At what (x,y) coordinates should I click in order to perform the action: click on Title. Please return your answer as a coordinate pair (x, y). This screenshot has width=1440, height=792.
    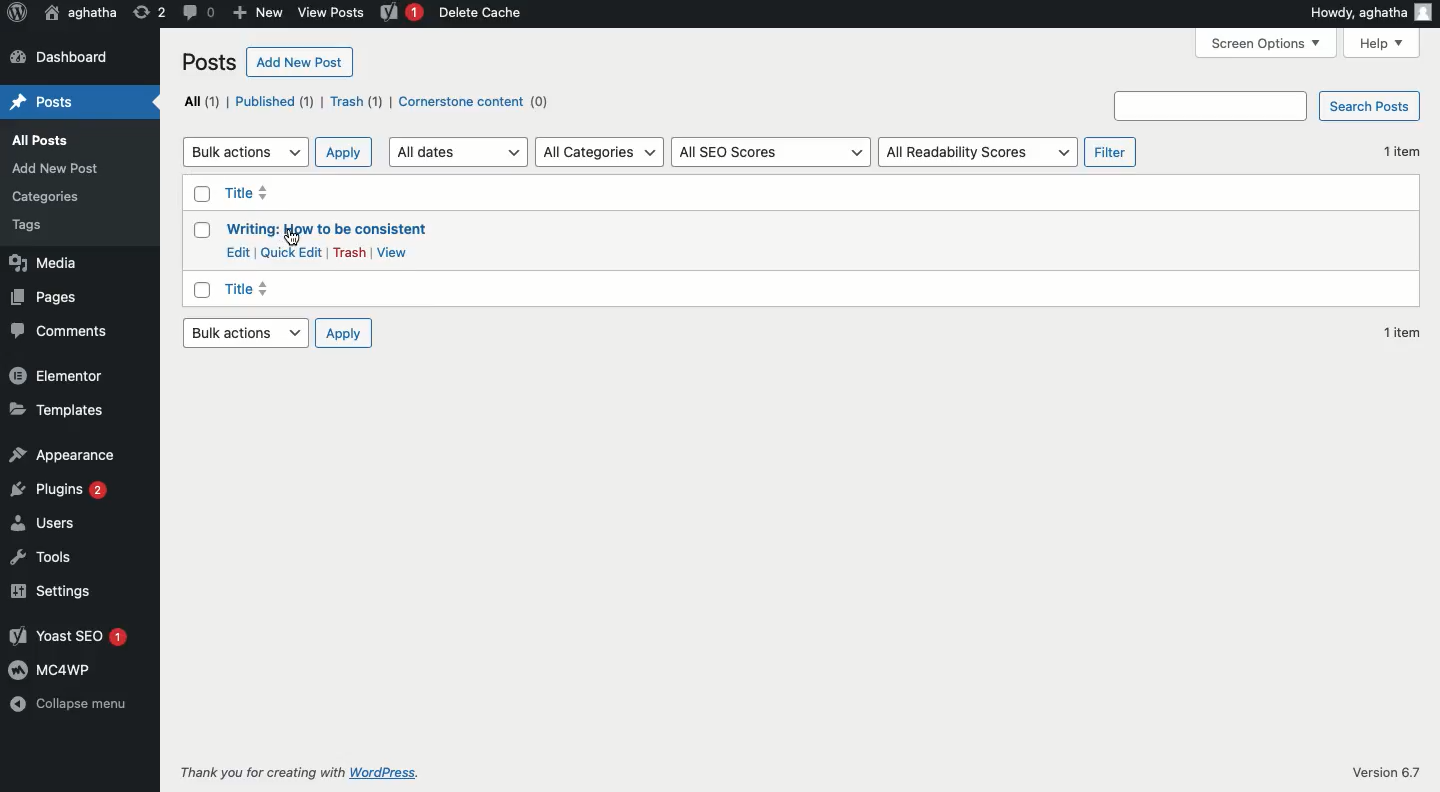
    Looking at the image, I should click on (252, 288).